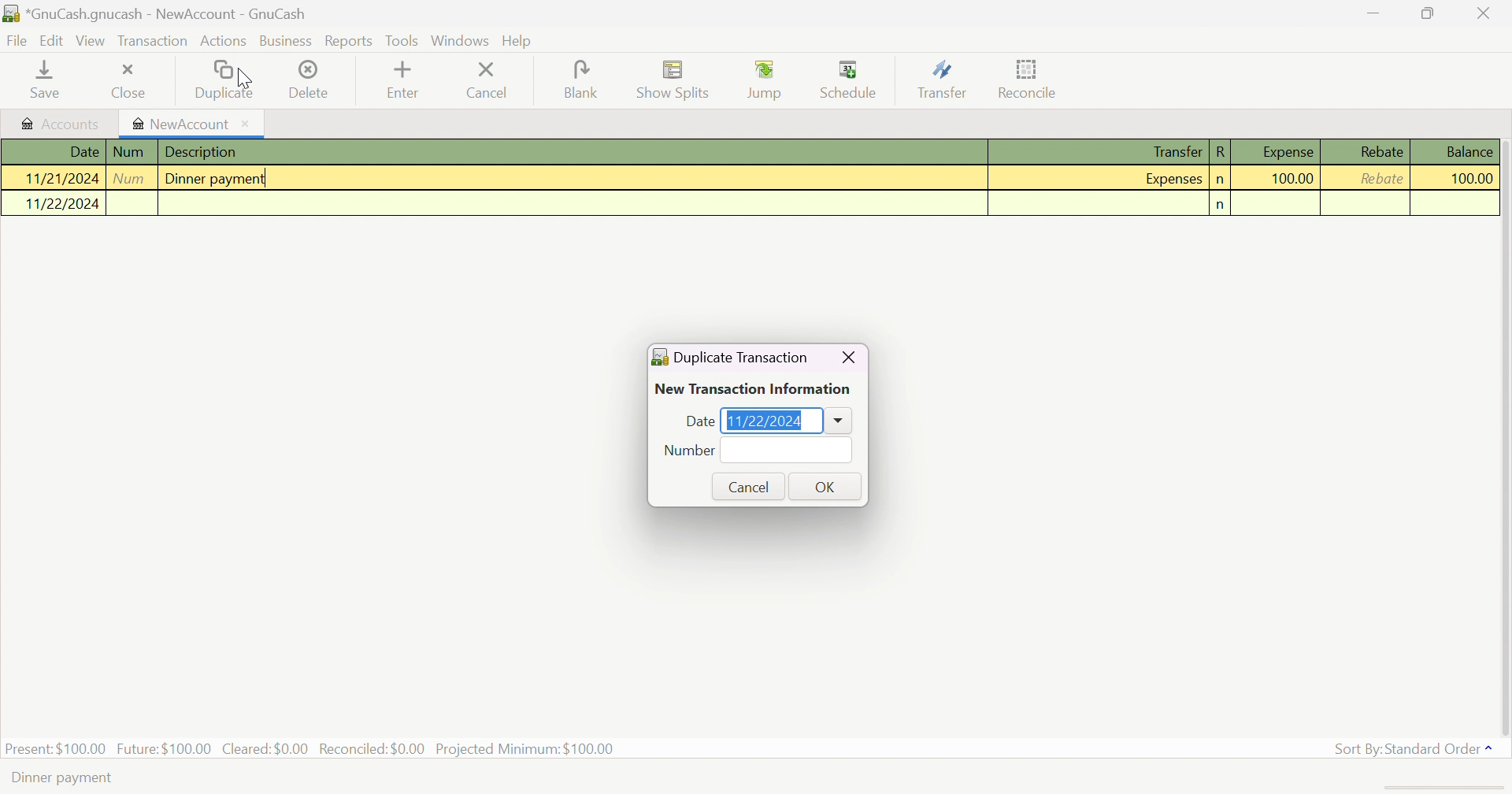 Image resolution: width=1512 pixels, height=794 pixels. Describe the element at coordinates (517, 42) in the screenshot. I see `Help` at that location.